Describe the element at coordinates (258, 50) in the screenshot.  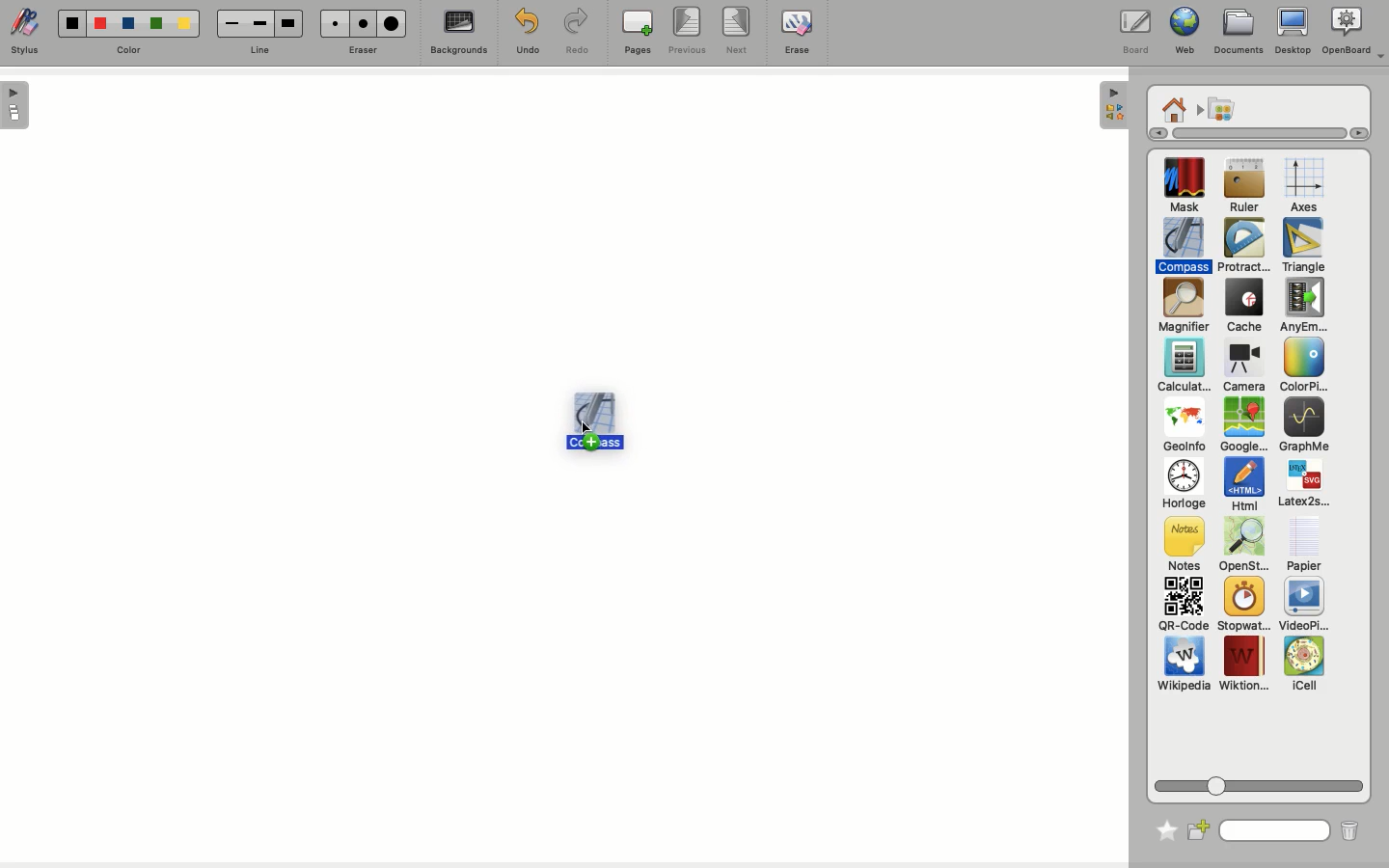
I see `line` at that location.